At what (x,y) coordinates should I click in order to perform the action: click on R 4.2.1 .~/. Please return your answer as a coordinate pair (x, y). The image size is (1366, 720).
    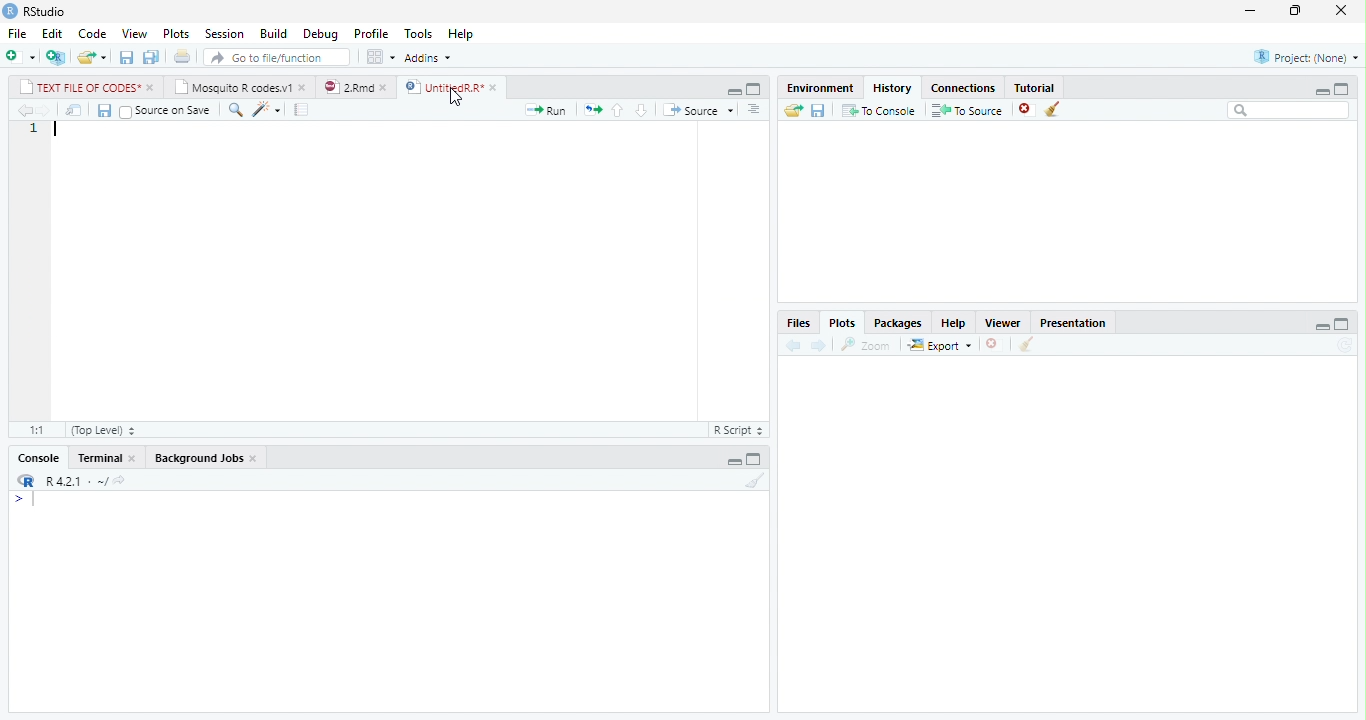
    Looking at the image, I should click on (73, 479).